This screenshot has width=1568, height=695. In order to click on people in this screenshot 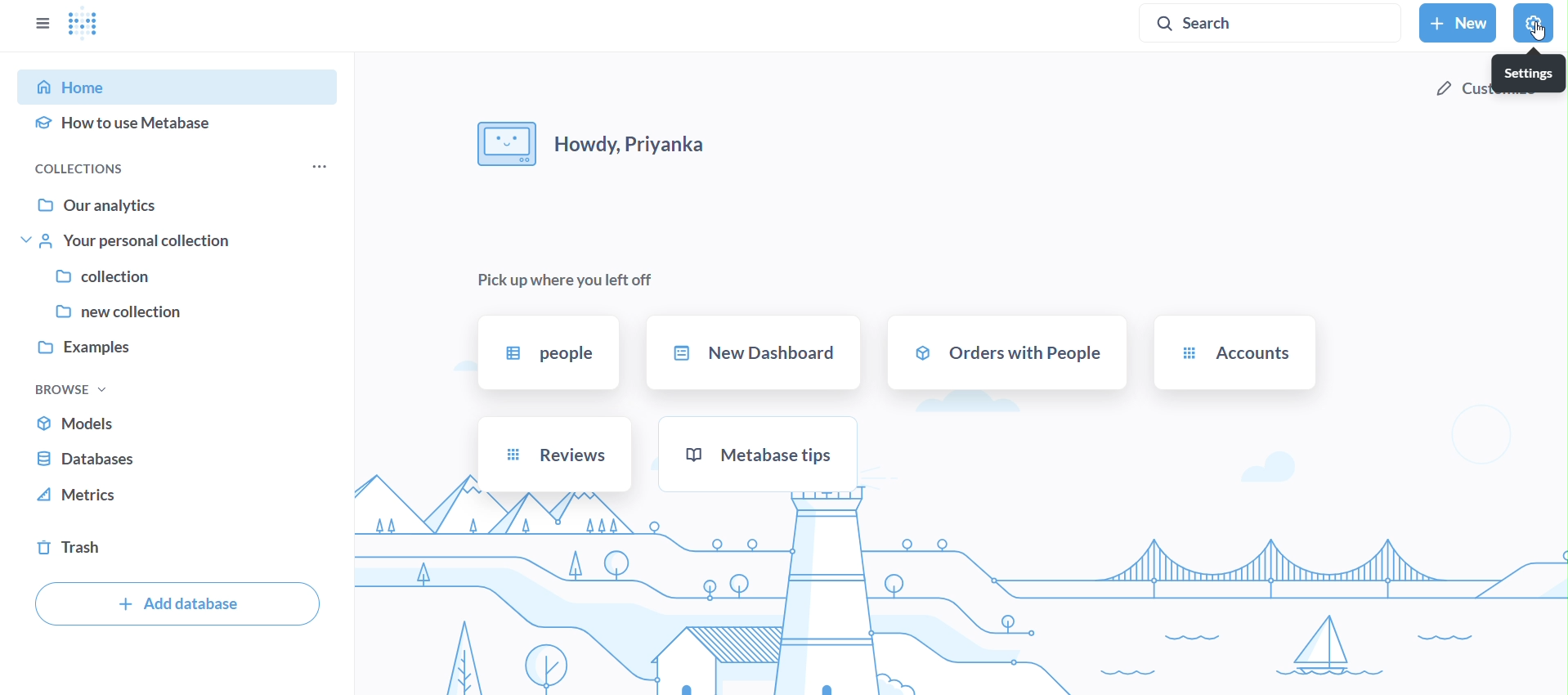, I will do `click(548, 353)`.